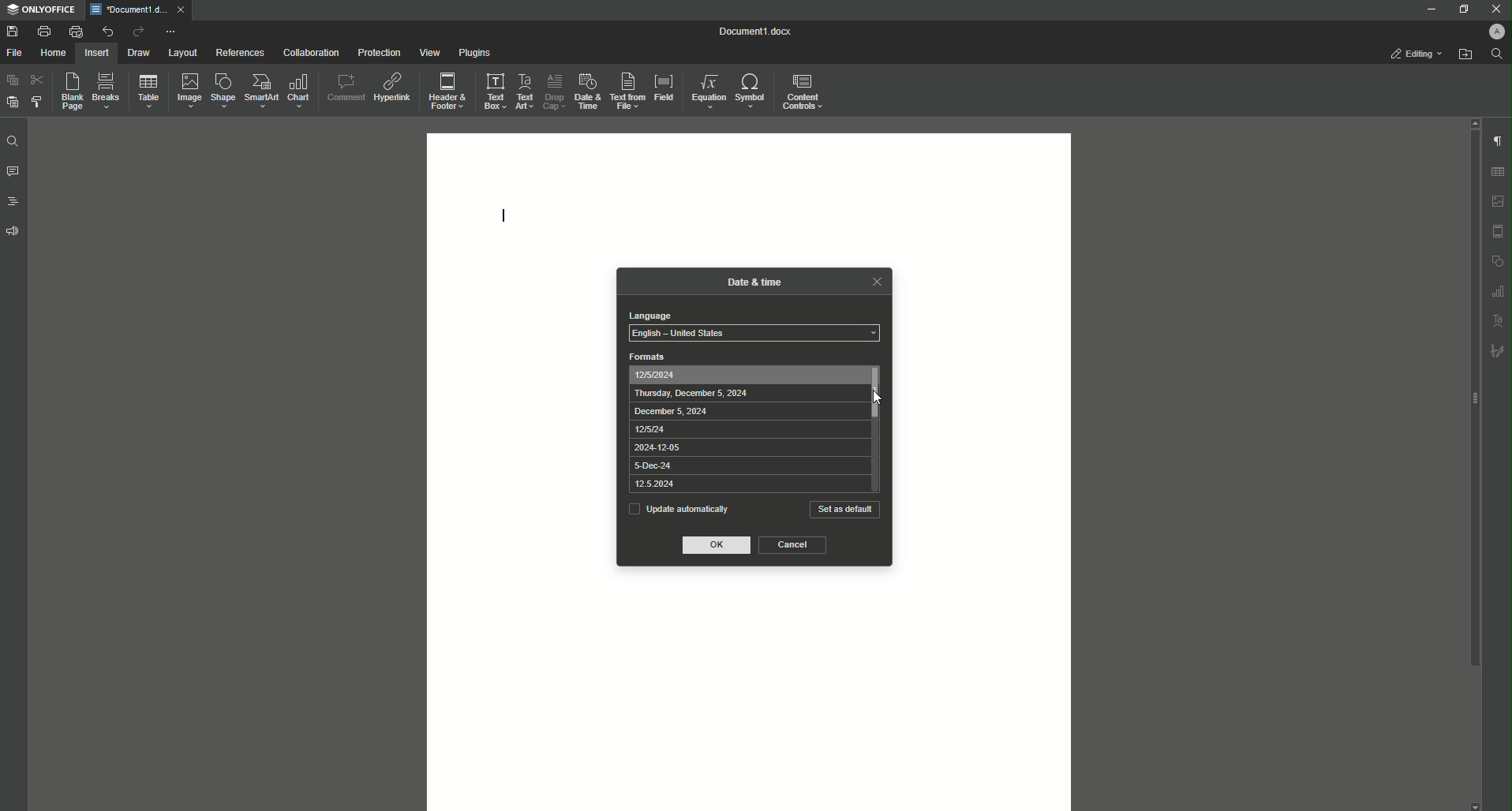  Describe the element at coordinates (12, 200) in the screenshot. I see `Headings` at that location.